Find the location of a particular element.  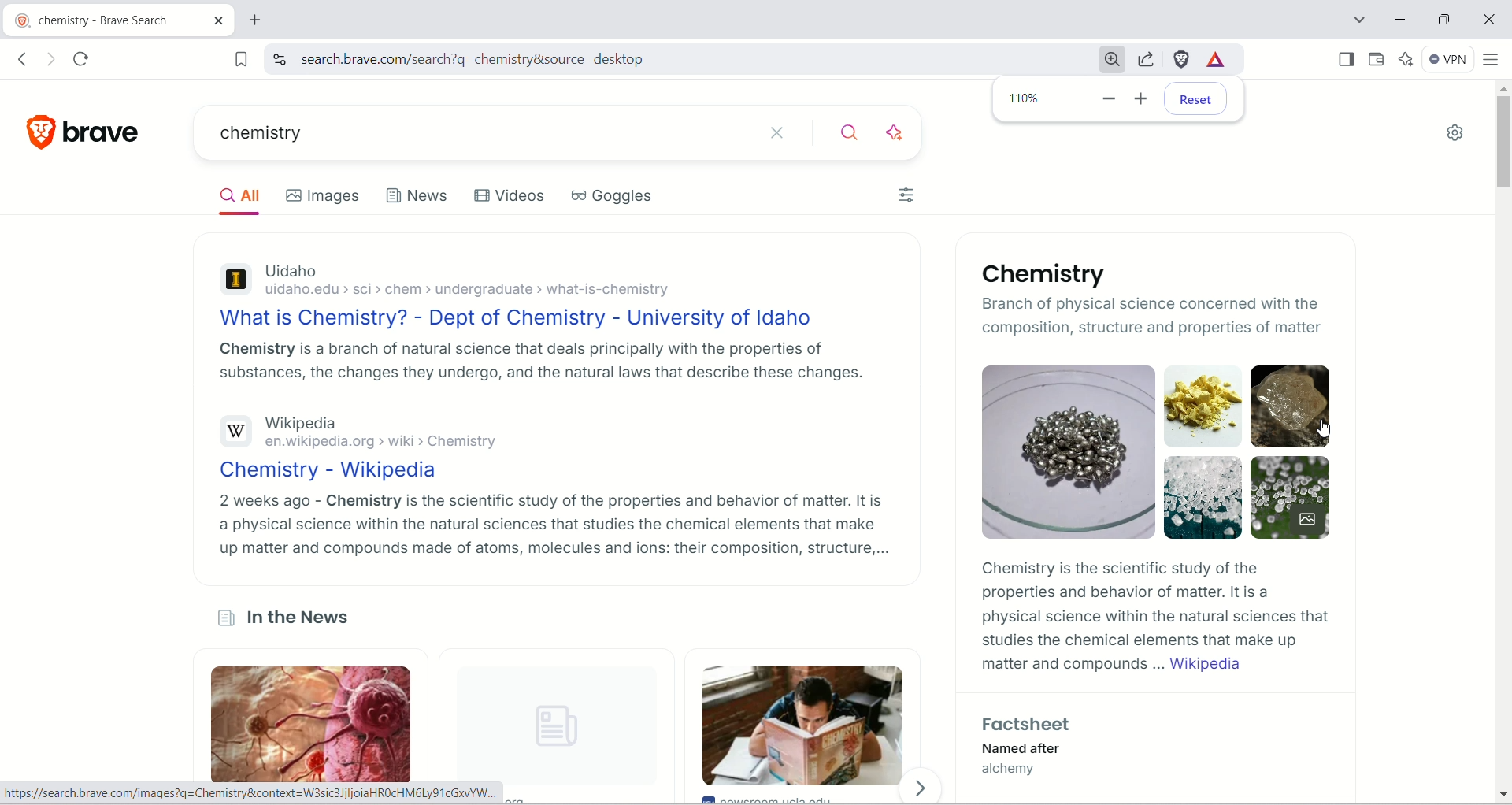

leo AI is located at coordinates (1404, 57).